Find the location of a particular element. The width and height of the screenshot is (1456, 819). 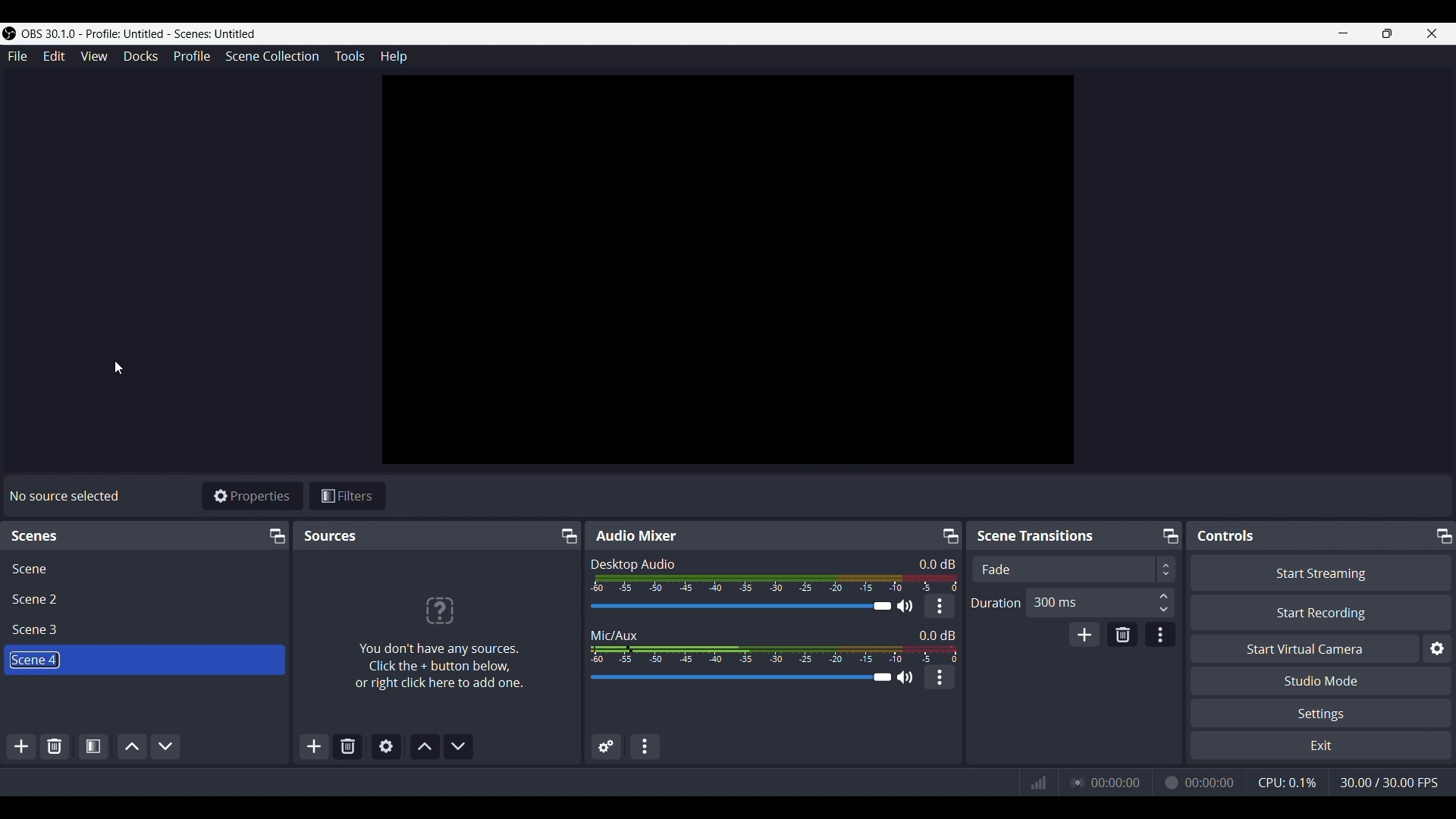

Move scene down is located at coordinates (166, 745).